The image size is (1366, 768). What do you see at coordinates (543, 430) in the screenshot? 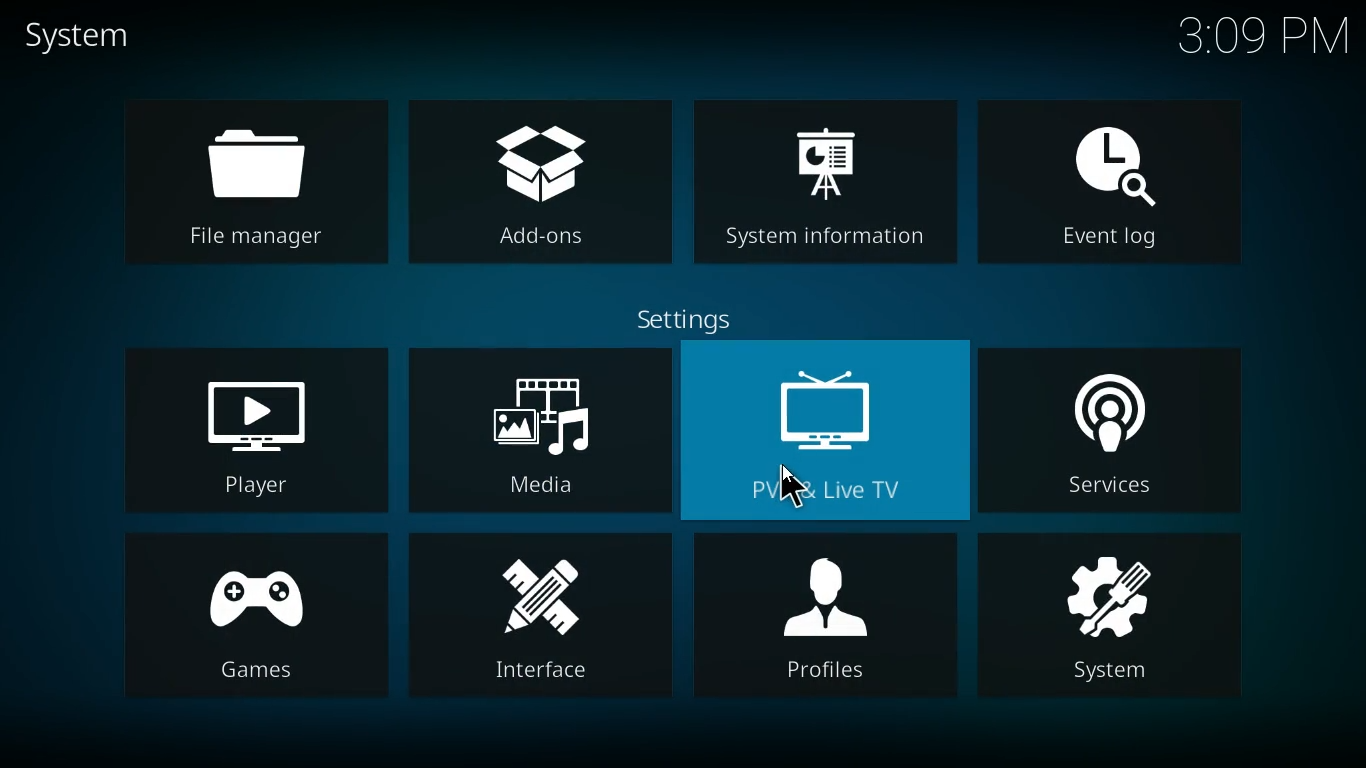
I see `media` at bounding box center [543, 430].